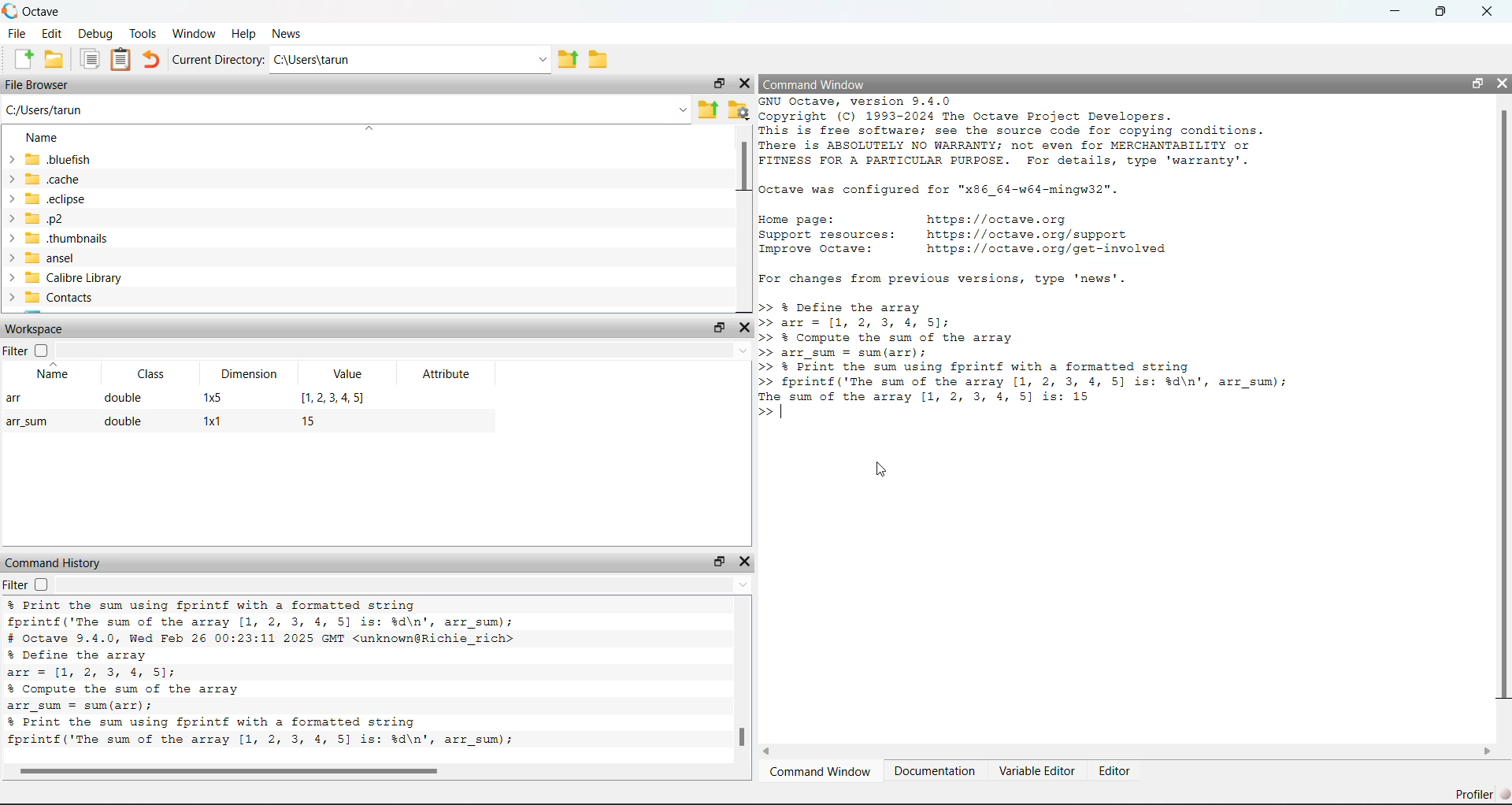 The width and height of the screenshot is (1512, 805). I want to click on Maximize, so click(1448, 11).